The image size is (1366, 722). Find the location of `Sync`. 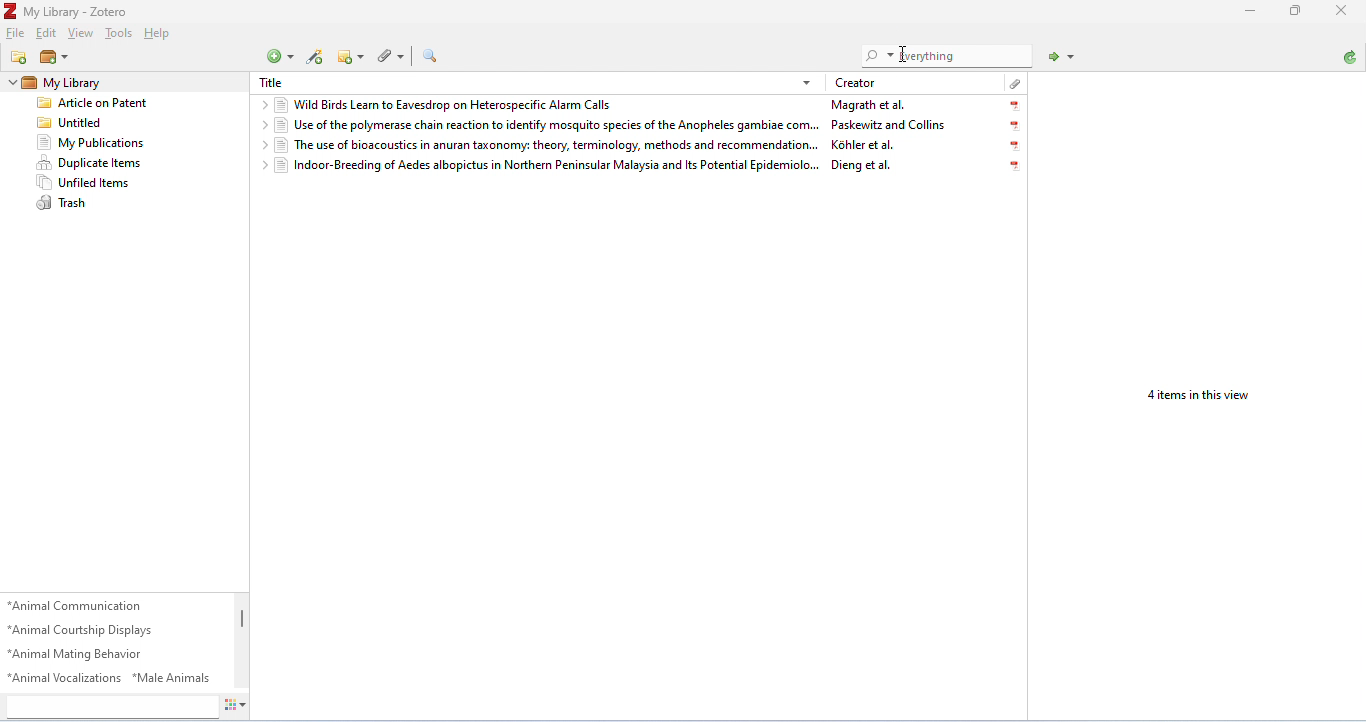

Sync is located at coordinates (1351, 58).